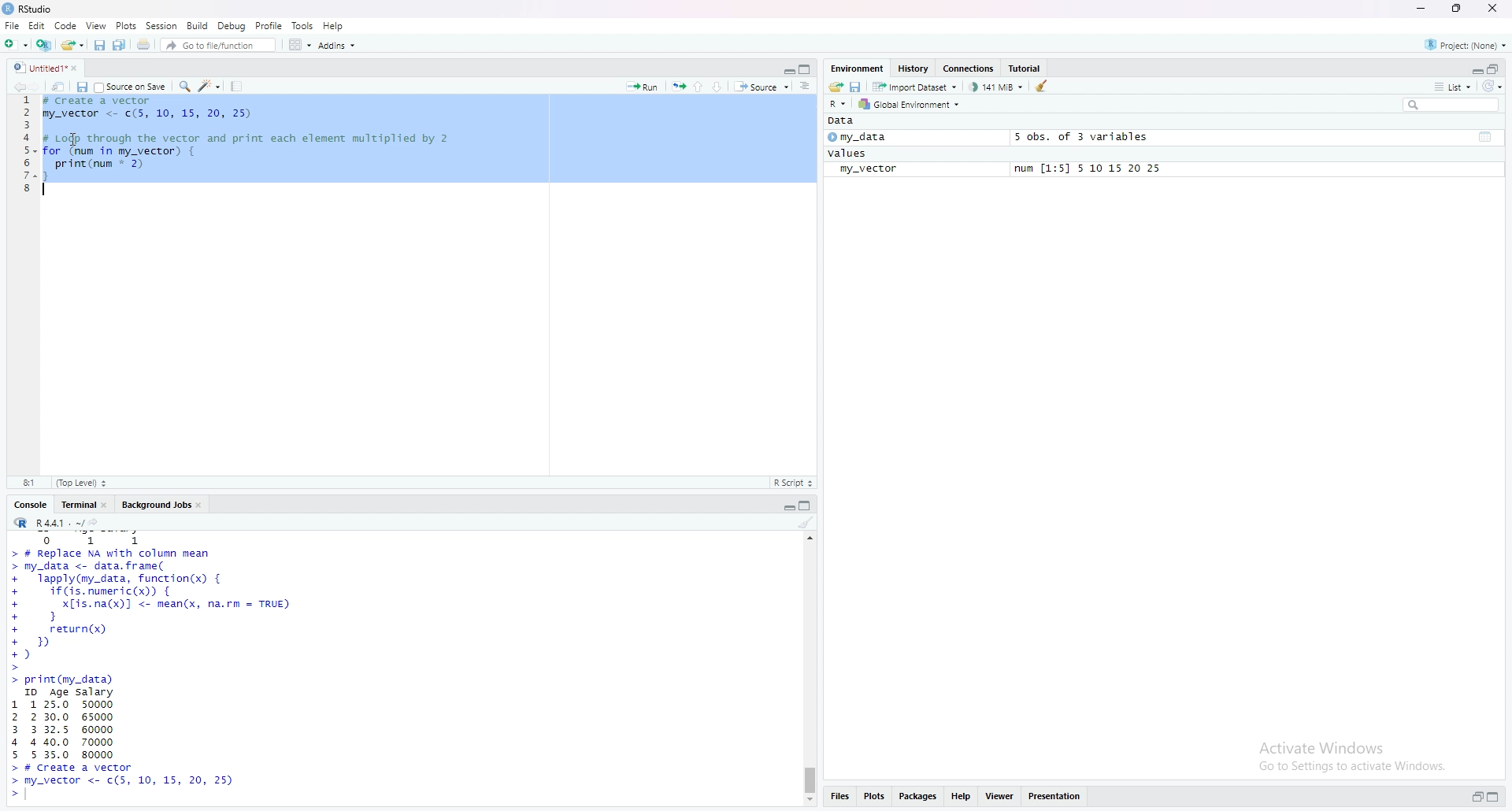 The height and width of the screenshot is (811, 1512). I want to click on view the current working directory, so click(98, 523).